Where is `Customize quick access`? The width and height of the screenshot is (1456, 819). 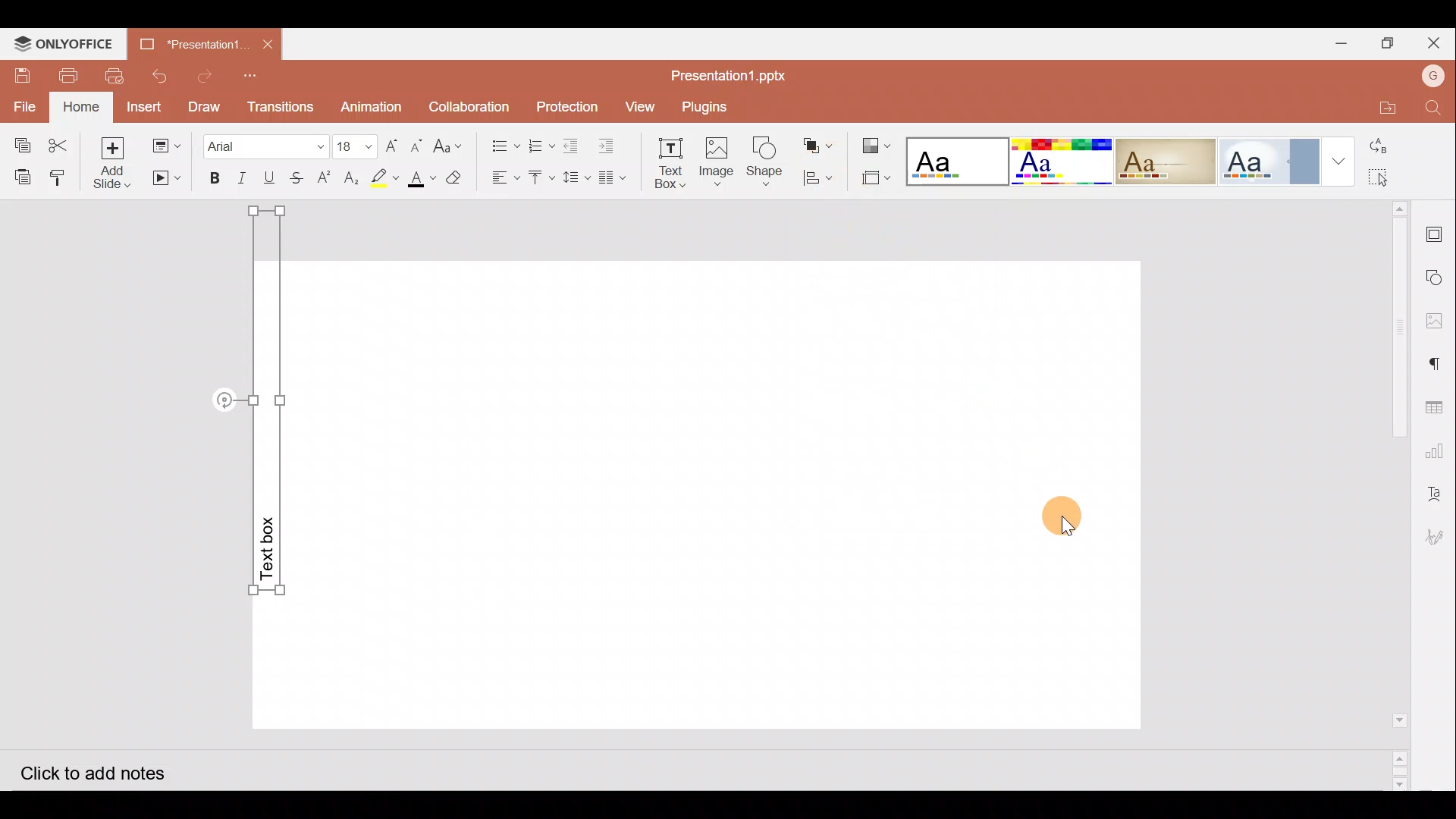 Customize quick access is located at coordinates (255, 75).